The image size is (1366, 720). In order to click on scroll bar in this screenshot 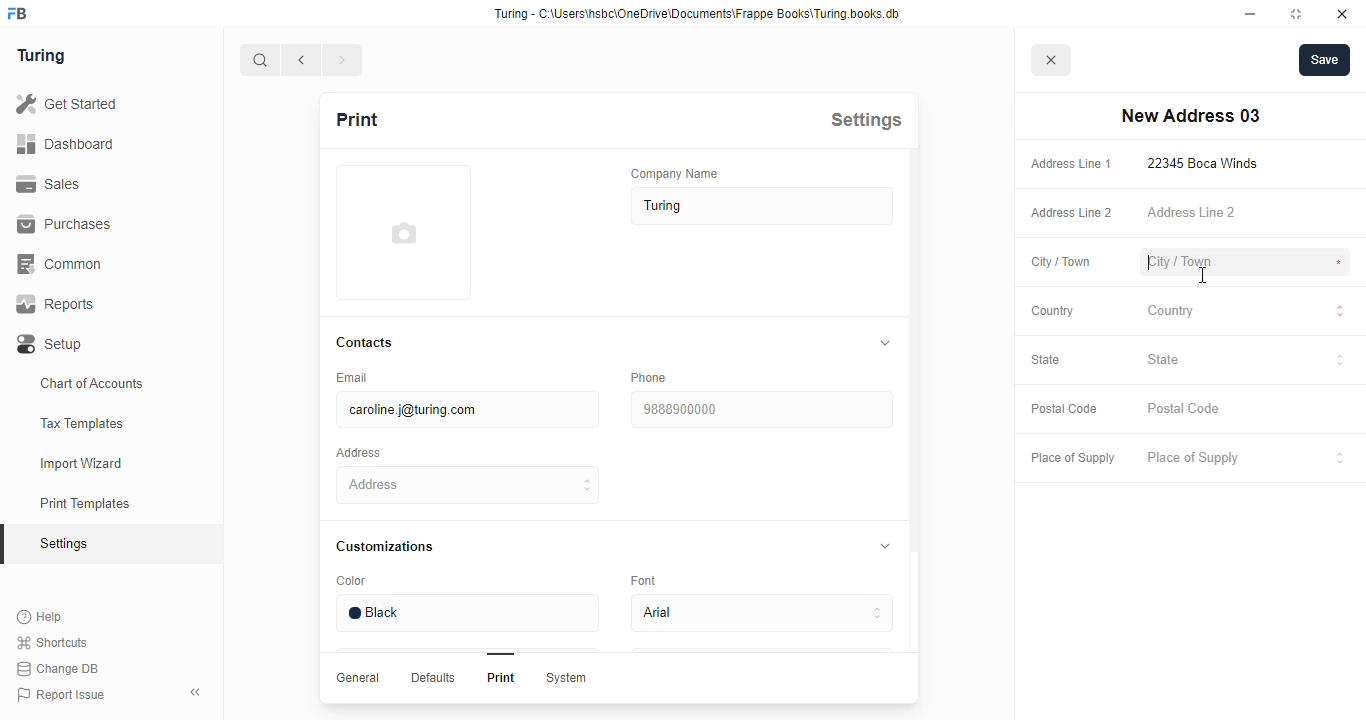, I will do `click(913, 426)`.